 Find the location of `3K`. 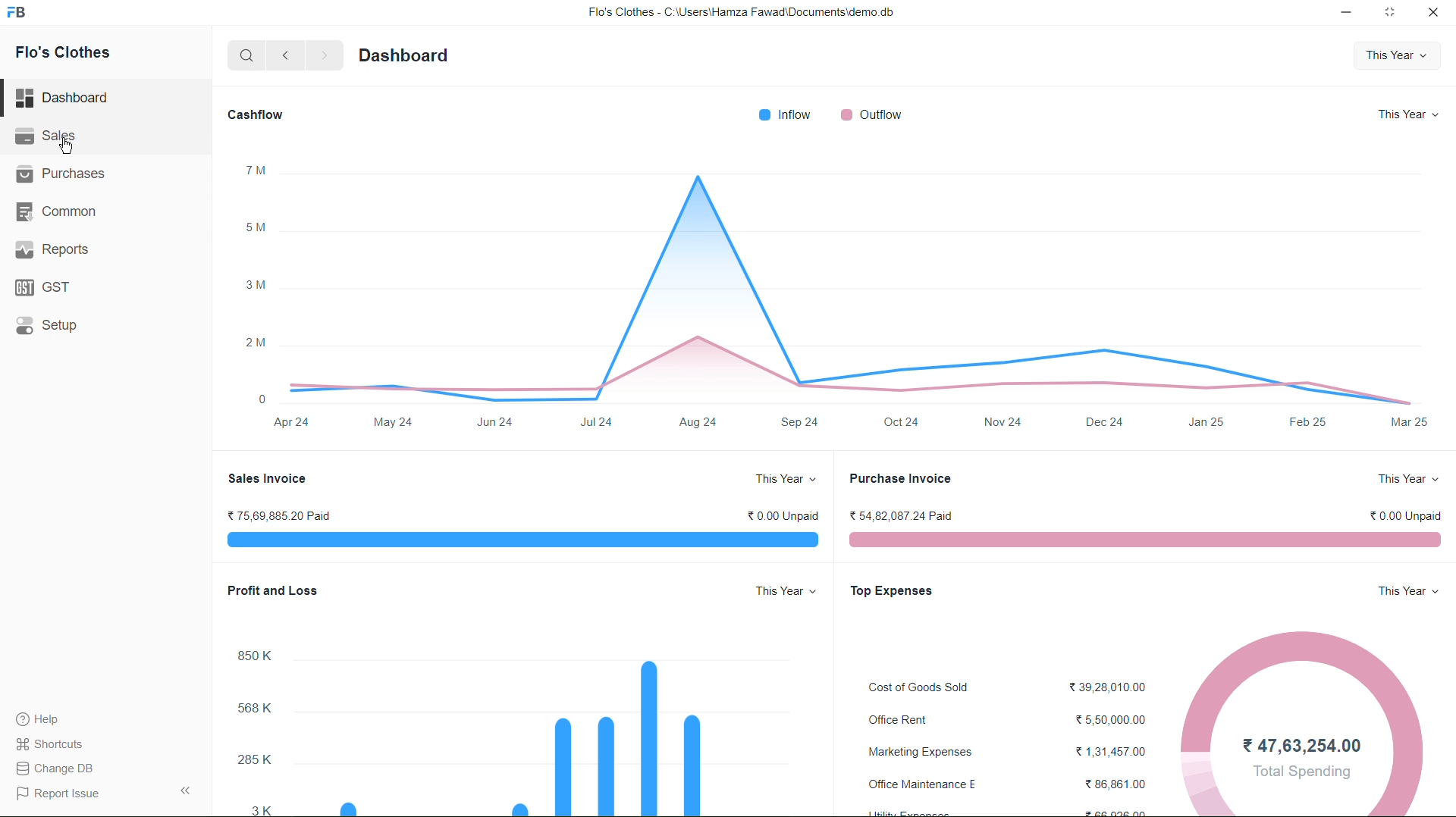

3K is located at coordinates (255, 808).